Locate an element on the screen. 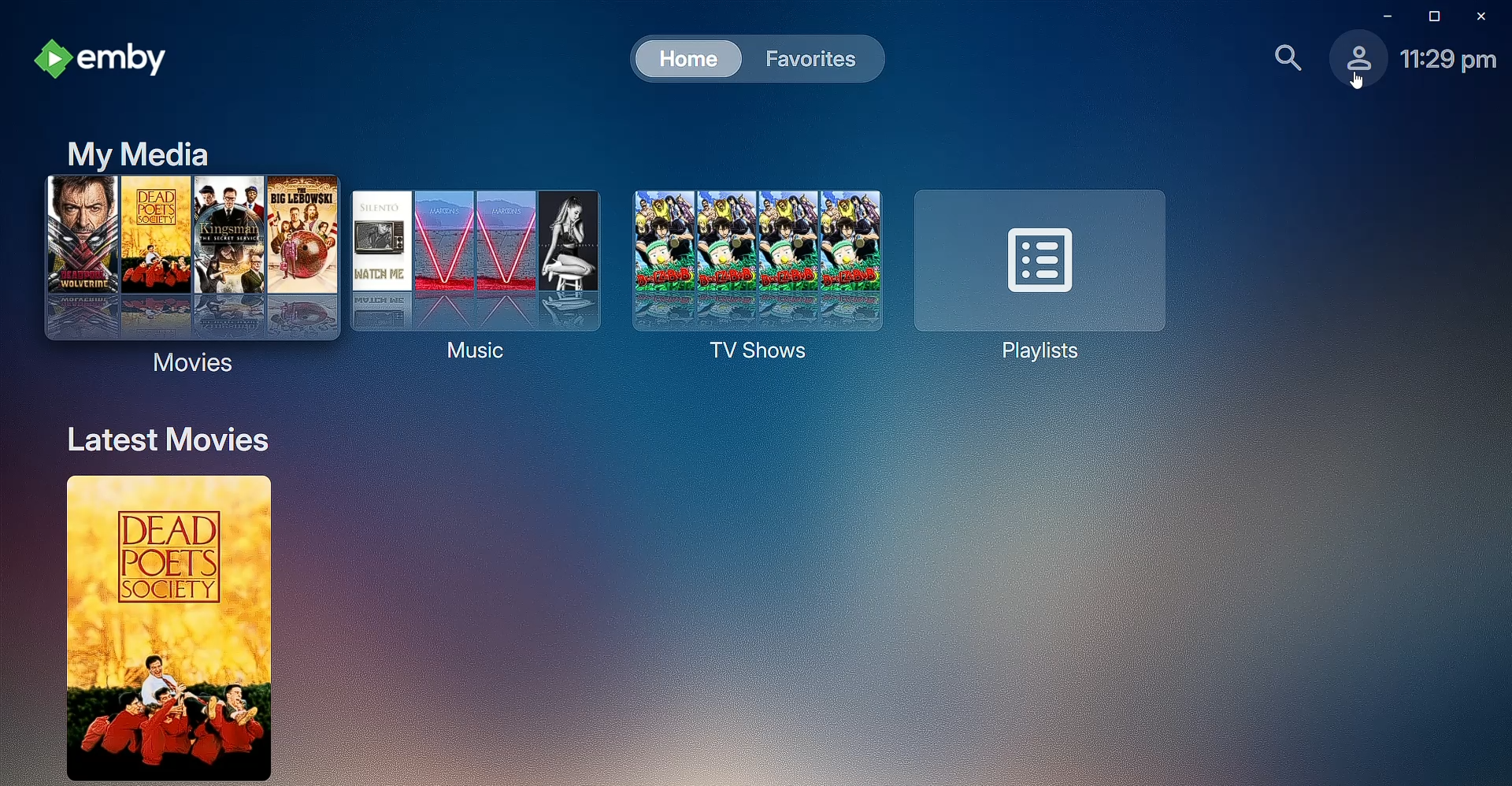 This screenshot has width=1512, height=786. Latest Movies is located at coordinates (177, 439).